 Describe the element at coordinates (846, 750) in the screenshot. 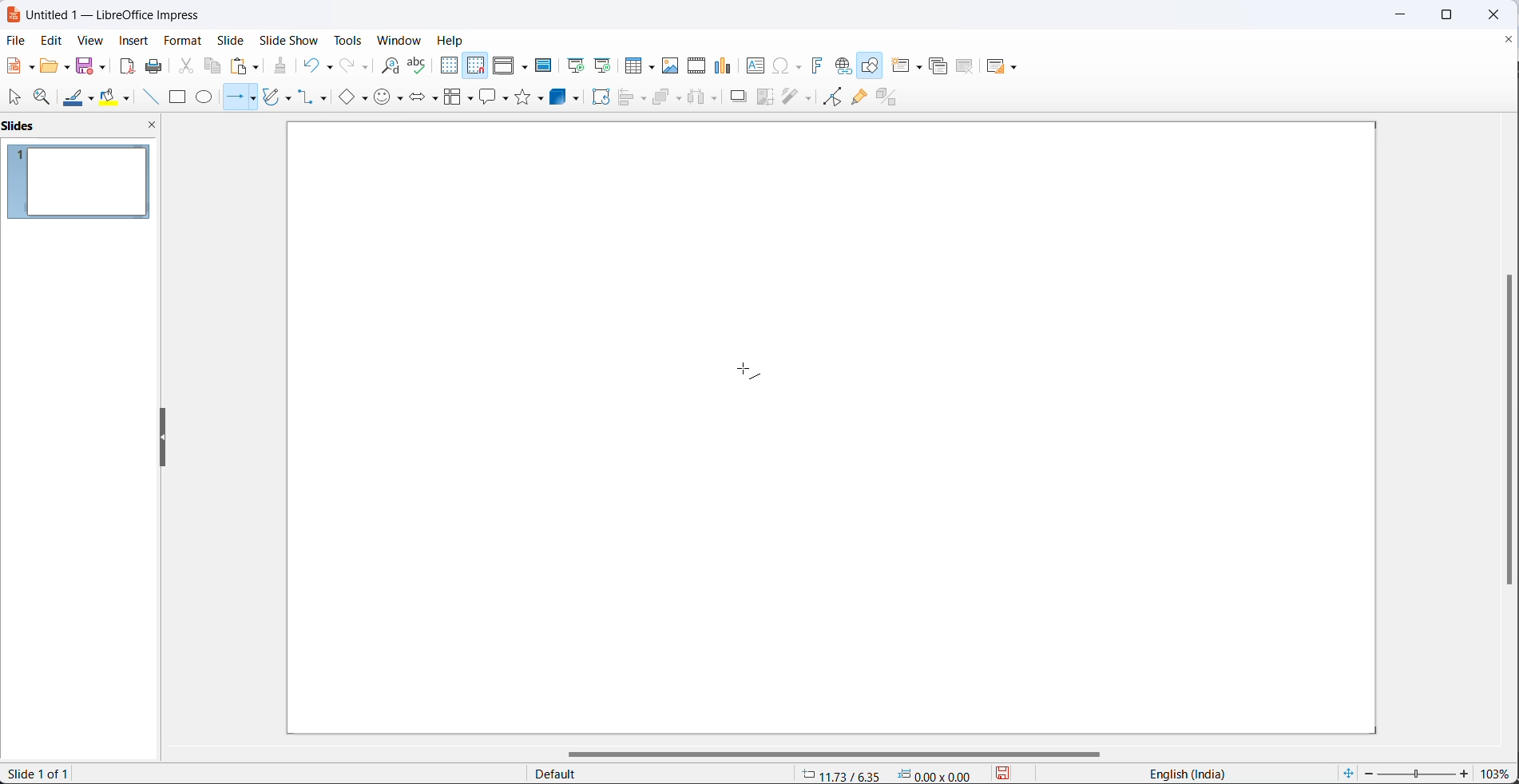

I see `scroll bar` at that location.